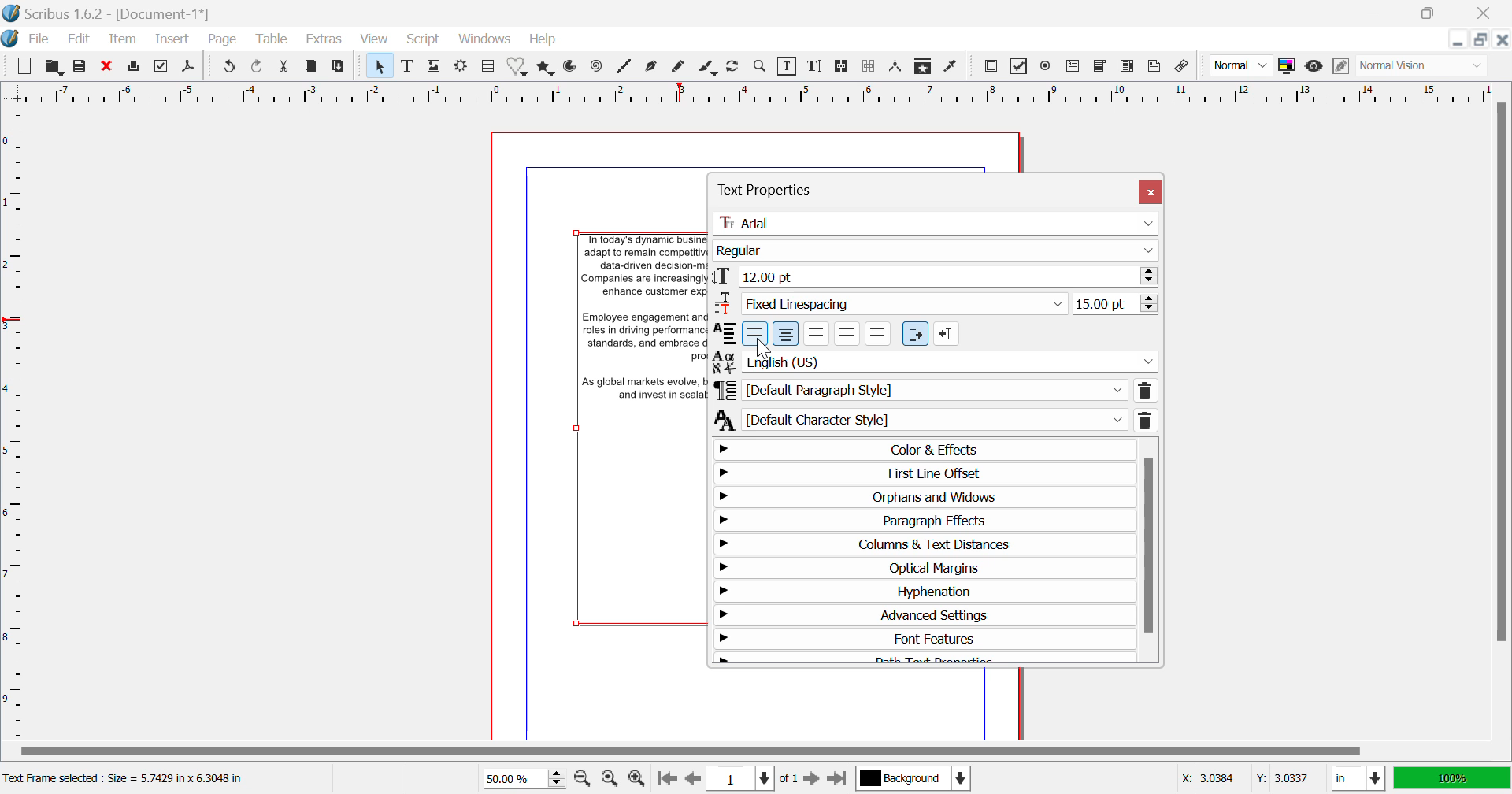 The width and height of the screenshot is (1512, 794). I want to click on Advanced Settings, so click(921, 614).